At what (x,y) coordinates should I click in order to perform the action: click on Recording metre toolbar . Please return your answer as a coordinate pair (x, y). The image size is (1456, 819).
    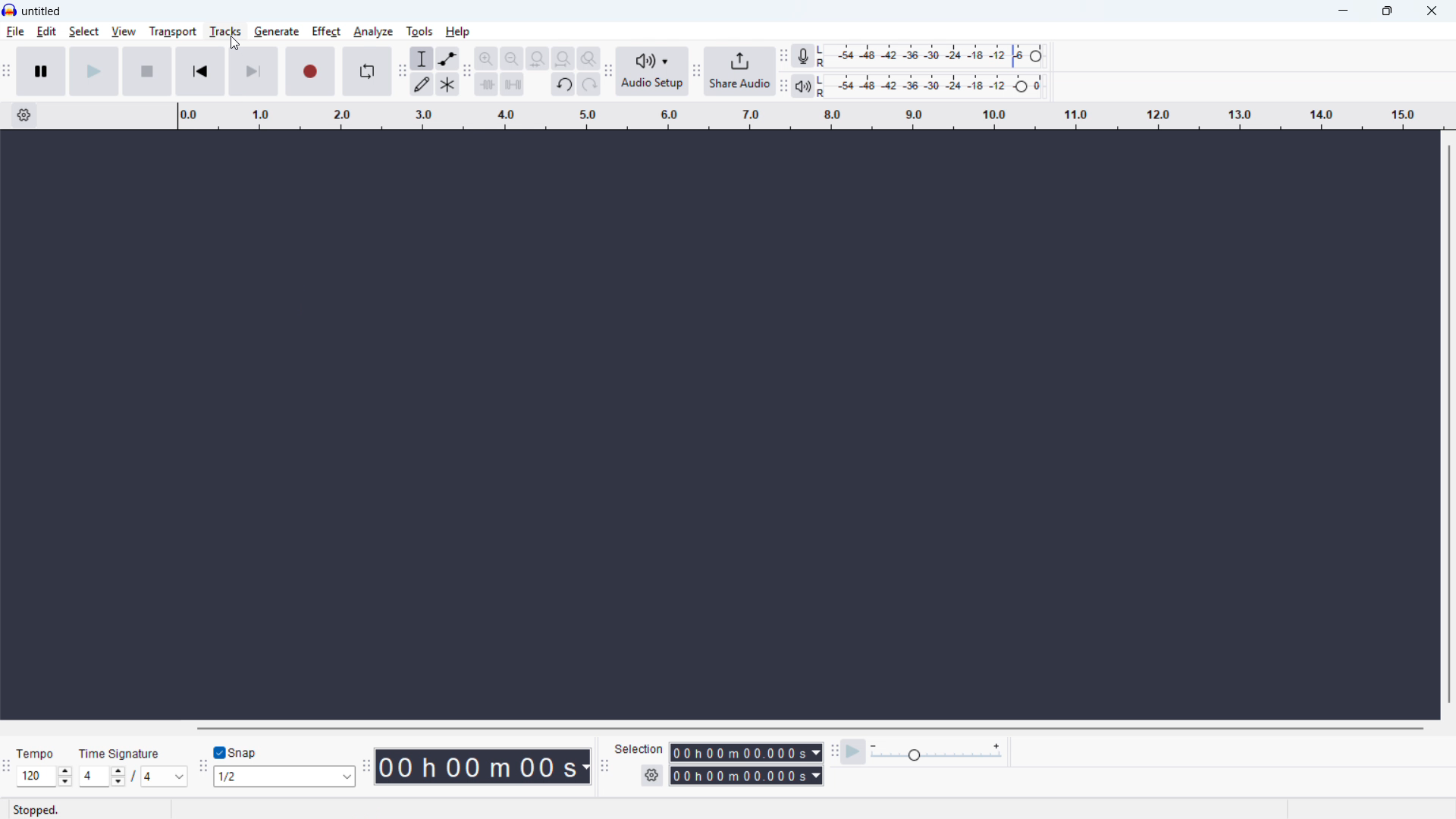
    Looking at the image, I should click on (783, 56).